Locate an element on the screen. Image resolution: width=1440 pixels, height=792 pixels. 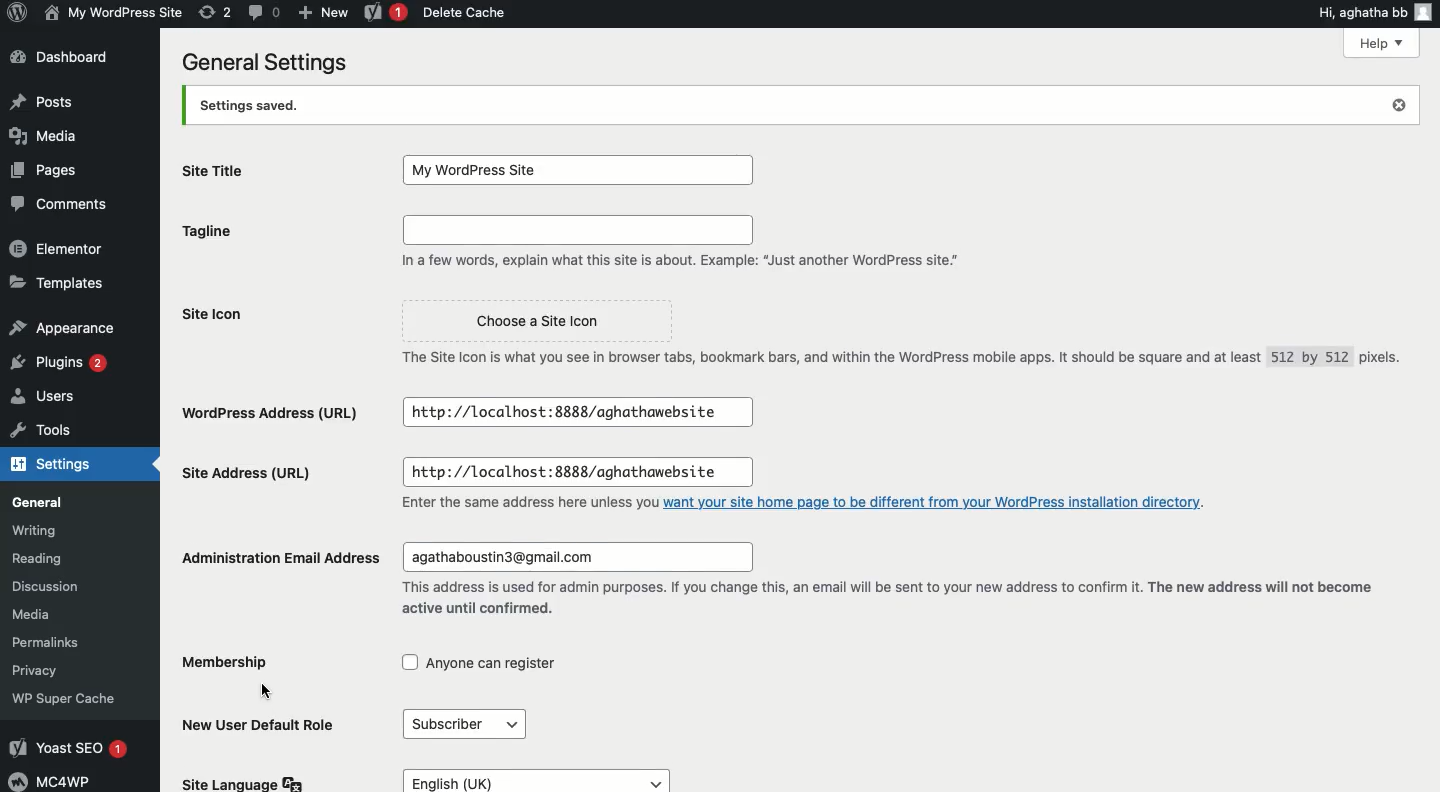
Elementor is located at coordinates (60, 247).